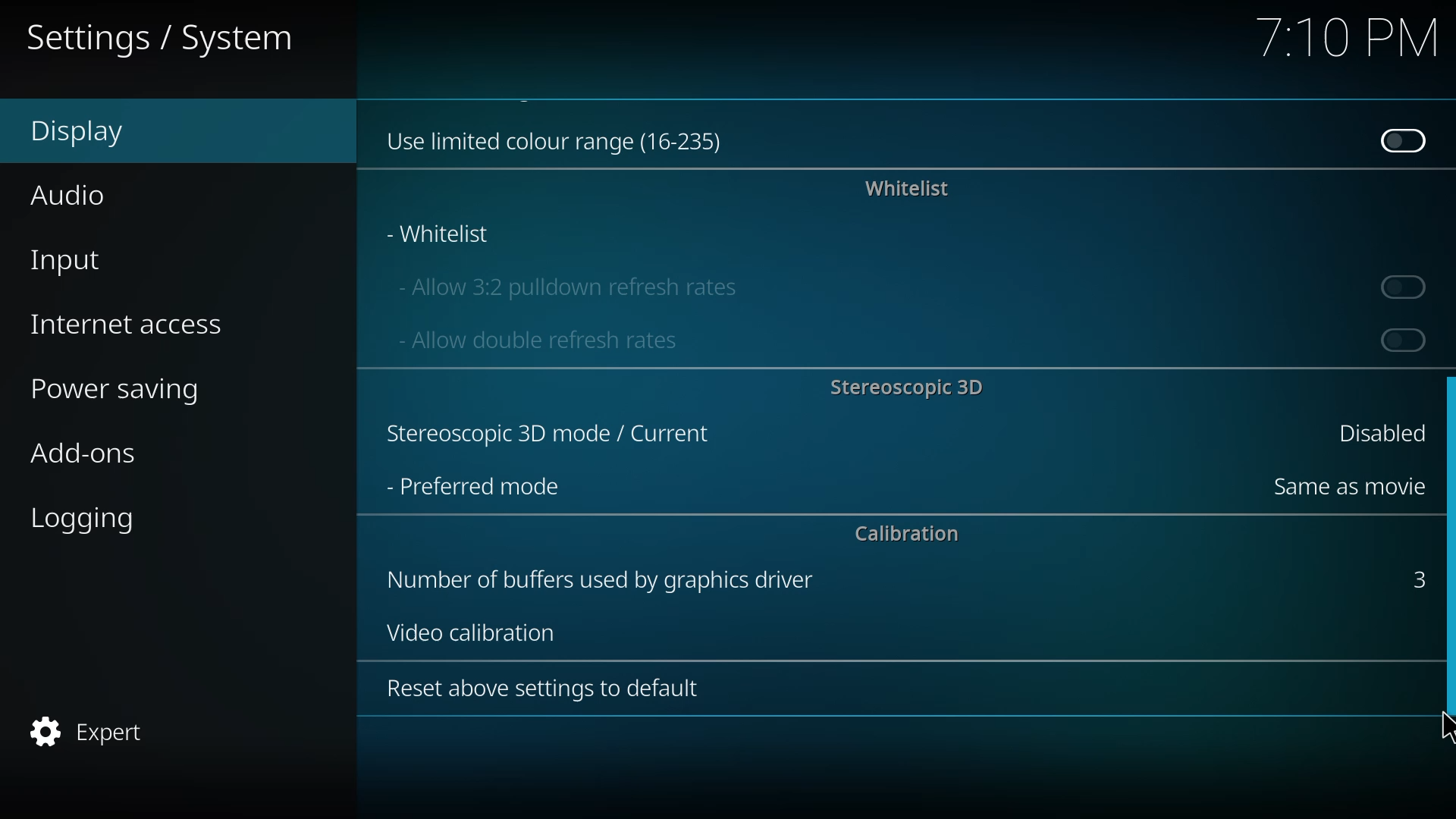 This screenshot has height=819, width=1456. Describe the element at coordinates (89, 519) in the screenshot. I see `logging` at that location.